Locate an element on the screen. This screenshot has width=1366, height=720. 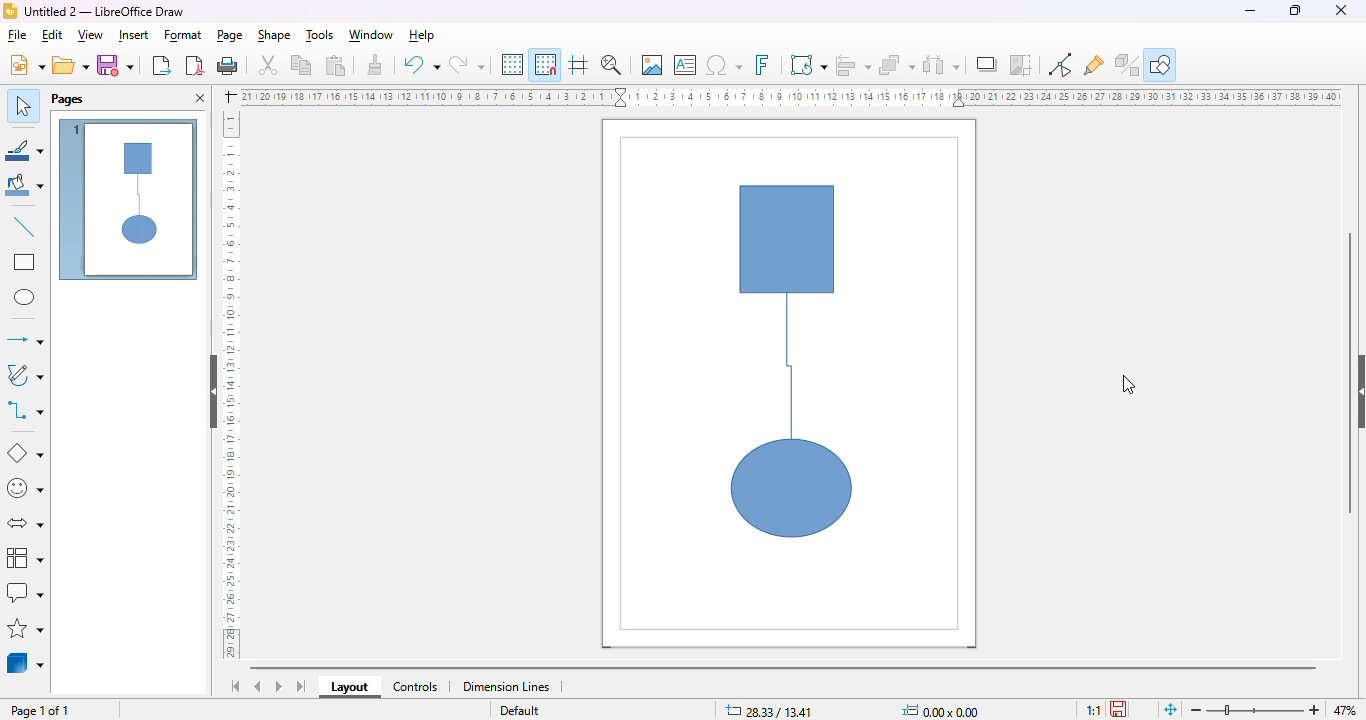
cursor is located at coordinates (1127, 385).